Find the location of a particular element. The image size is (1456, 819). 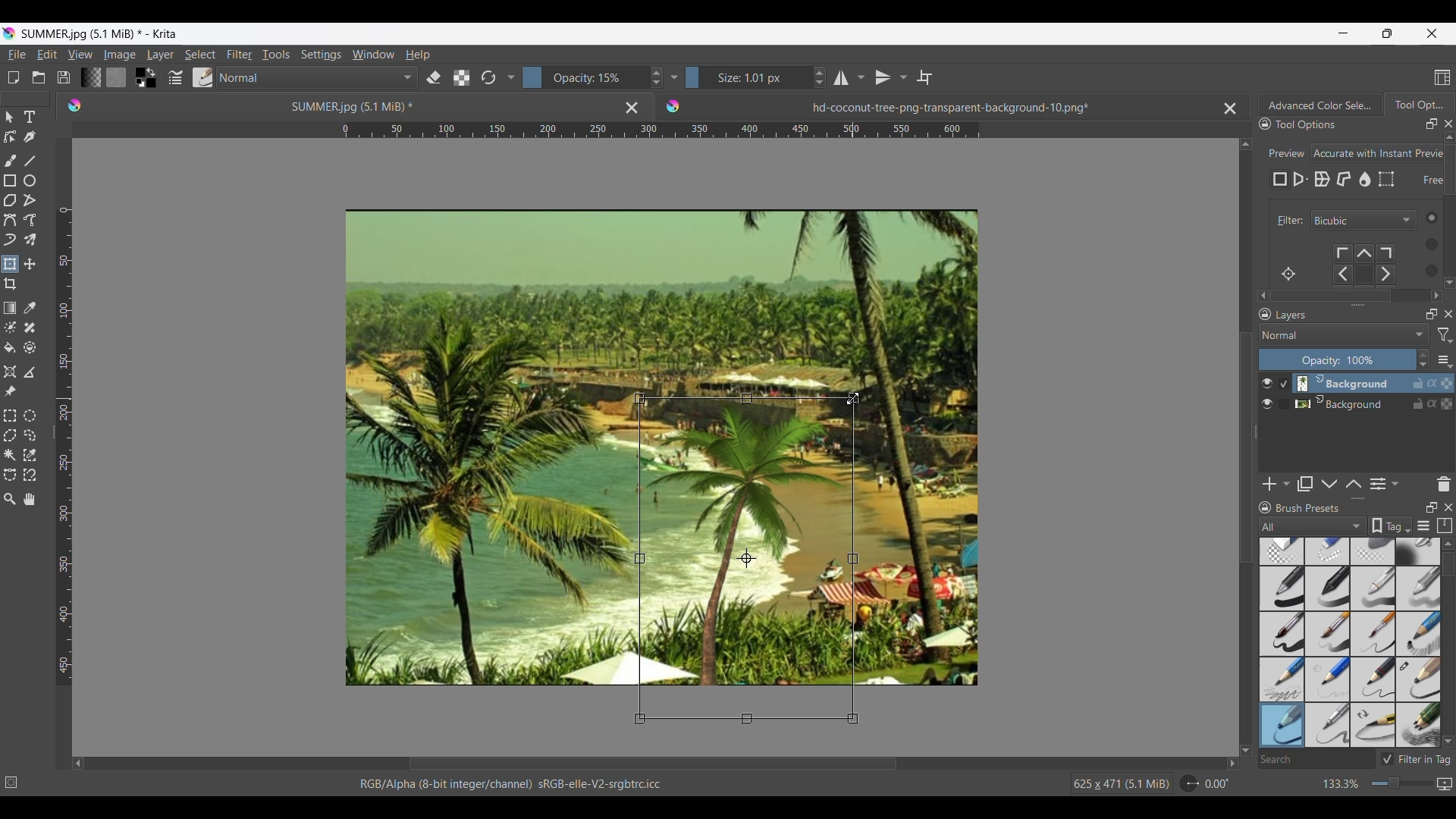

Show/Hide layer is located at coordinates (1267, 384).